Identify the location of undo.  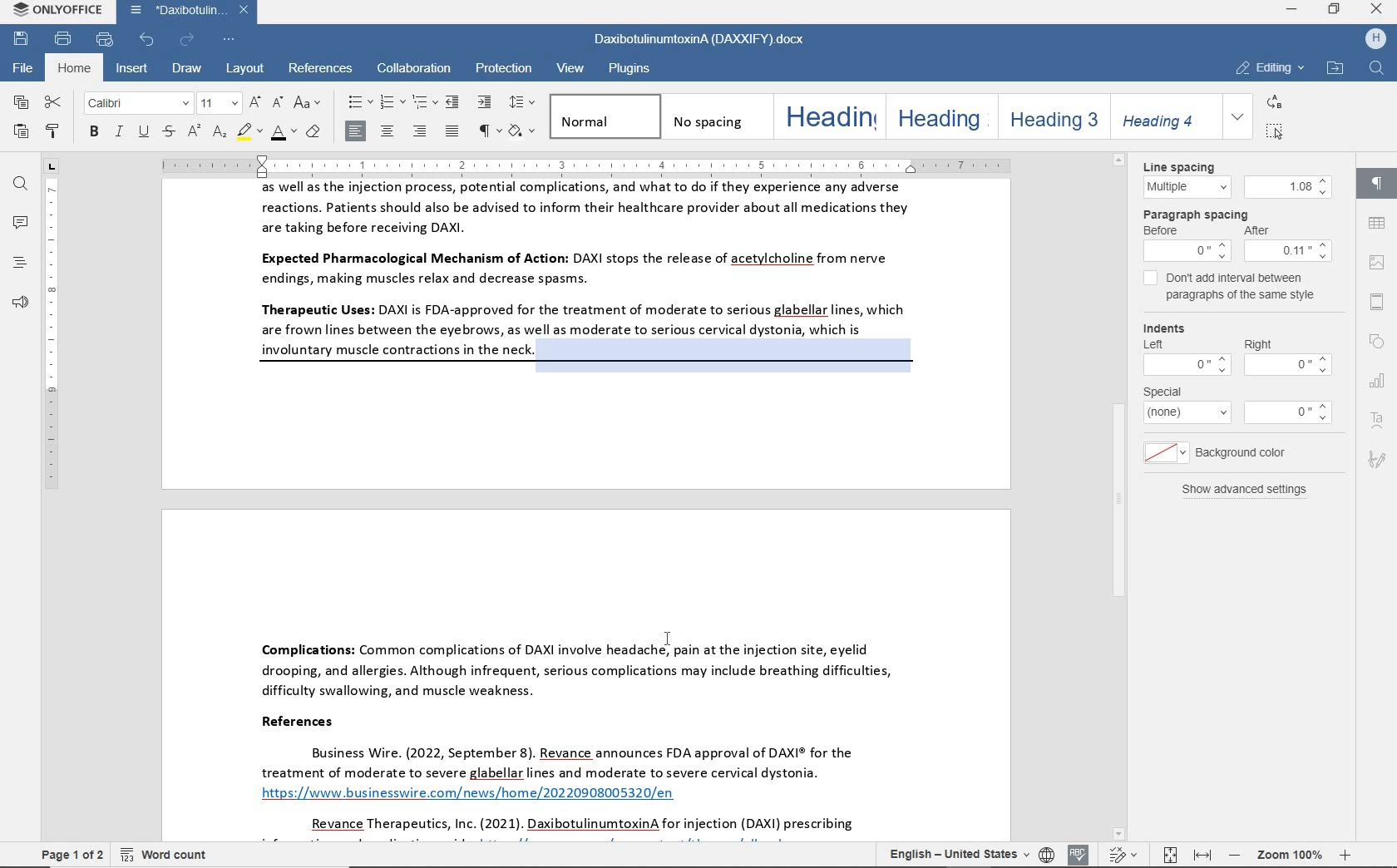
(148, 39).